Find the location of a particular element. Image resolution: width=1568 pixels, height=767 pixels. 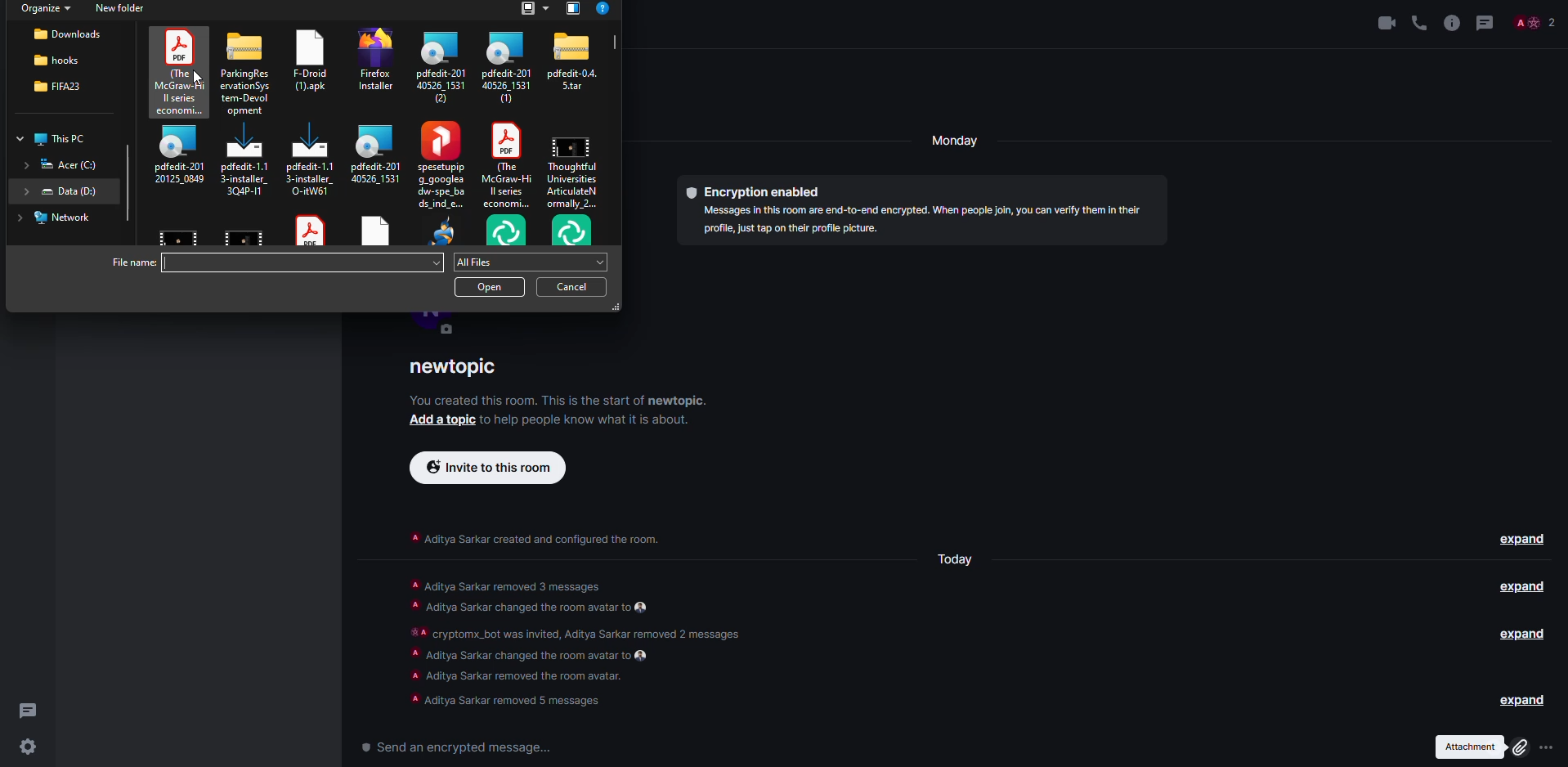

info is located at coordinates (562, 399).